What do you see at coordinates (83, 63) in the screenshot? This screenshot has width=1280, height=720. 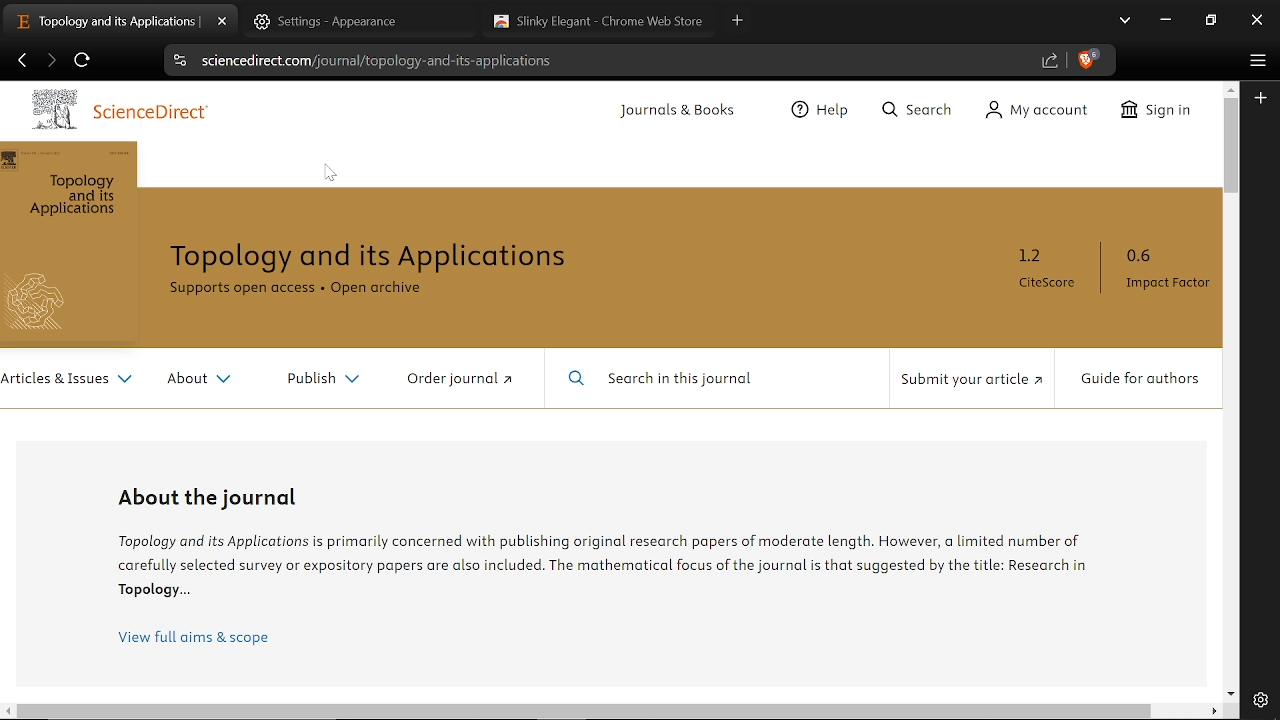 I see `Refesh` at bounding box center [83, 63].